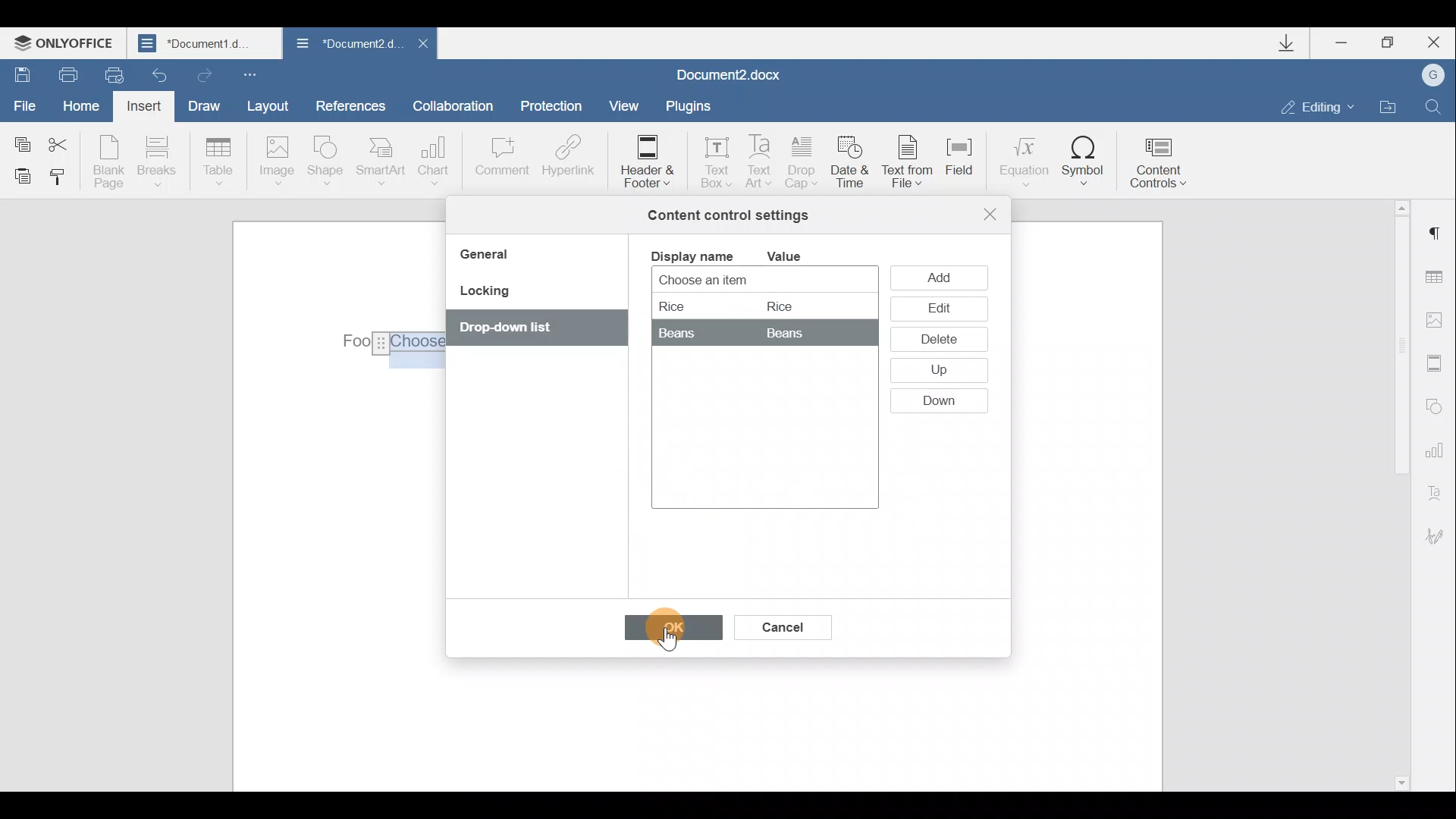 The image size is (1456, 819). I want to click on Header & footer settings, so click(1438, 362).